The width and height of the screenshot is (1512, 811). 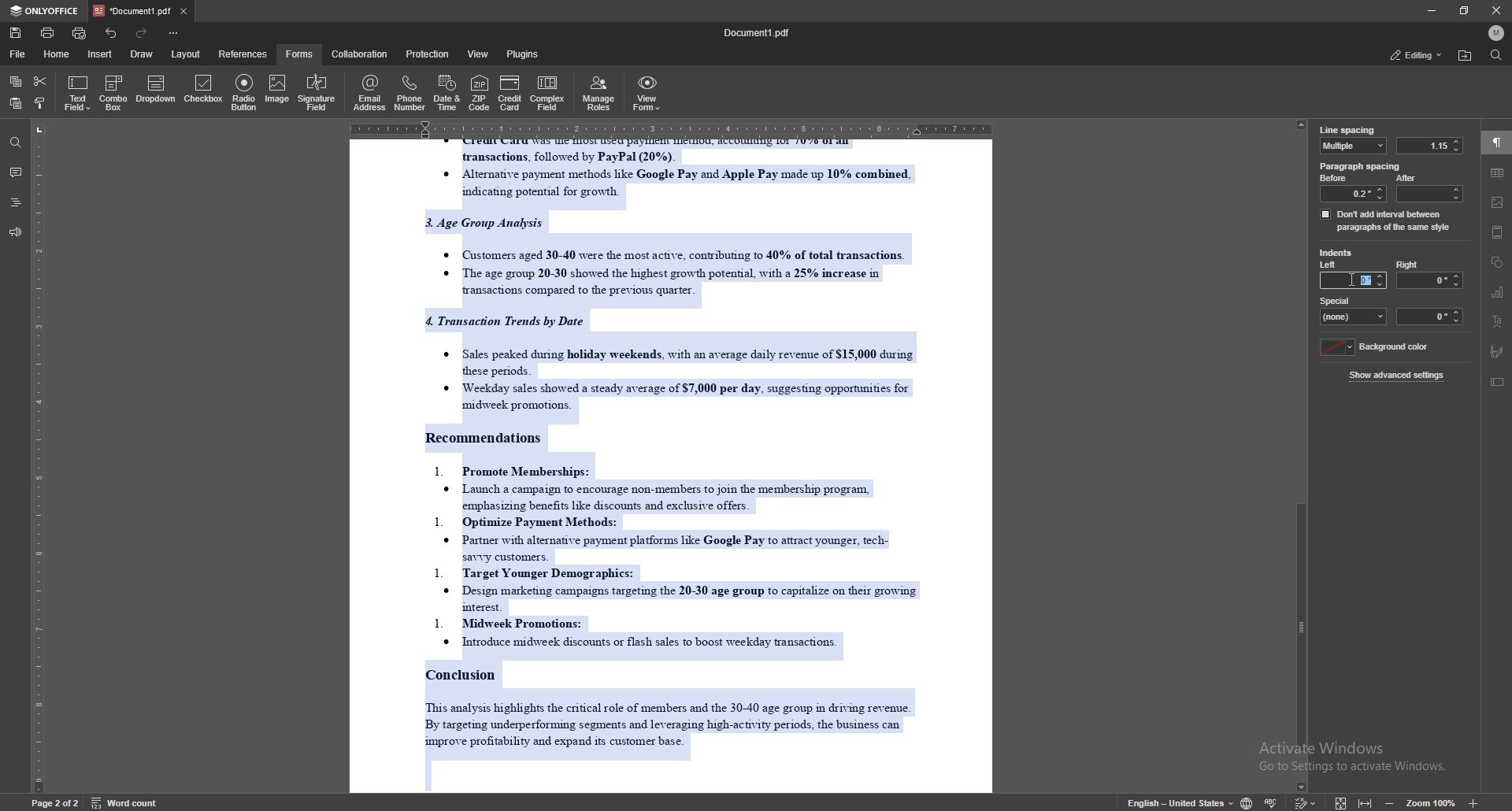 I want to click on file, so click(x=18, y=54).